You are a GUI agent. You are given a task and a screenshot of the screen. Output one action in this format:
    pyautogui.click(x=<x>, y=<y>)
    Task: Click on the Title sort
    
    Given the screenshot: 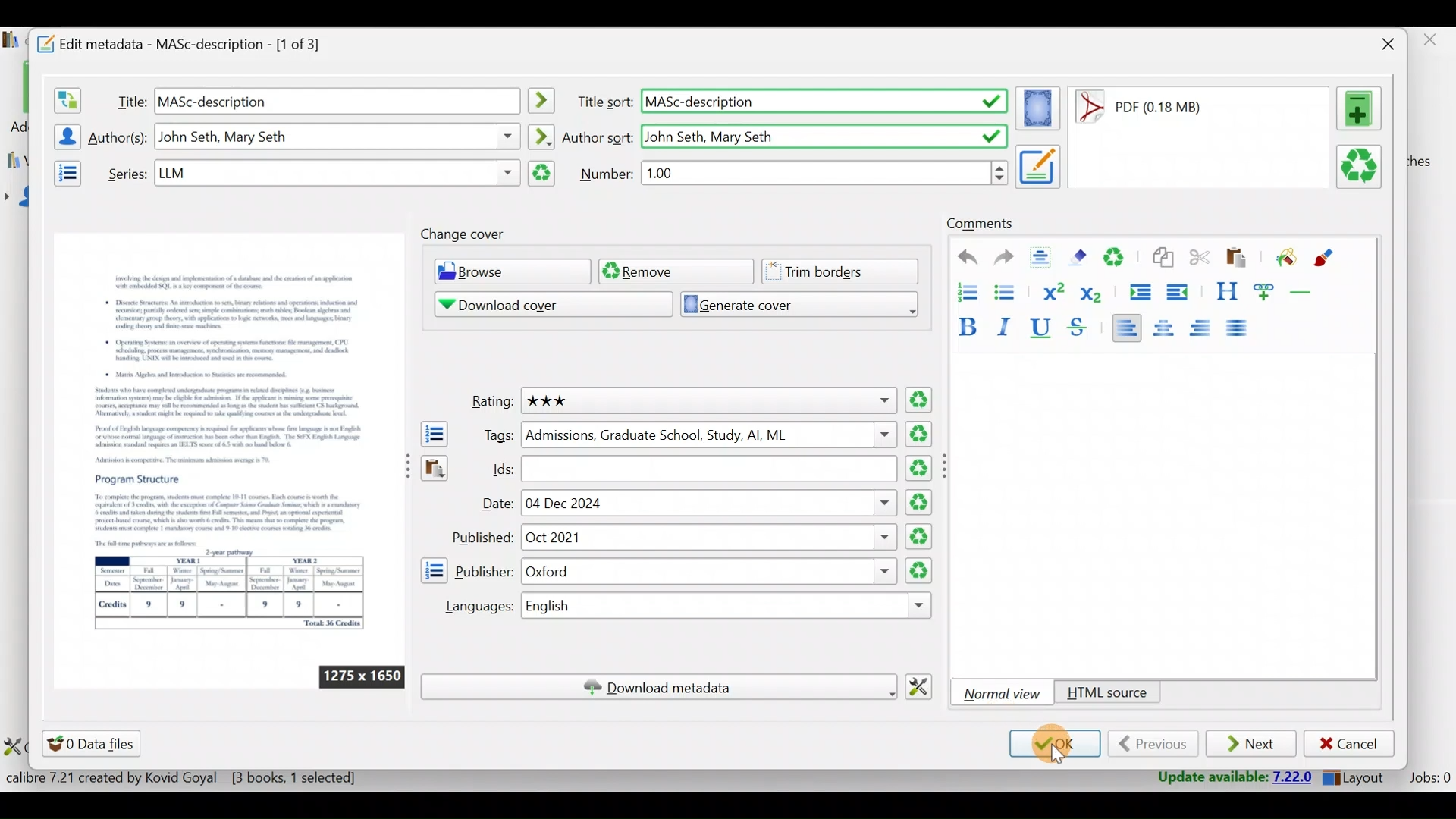 What is the action you would take?
    pyautogui.click(x=604, y=102)
    